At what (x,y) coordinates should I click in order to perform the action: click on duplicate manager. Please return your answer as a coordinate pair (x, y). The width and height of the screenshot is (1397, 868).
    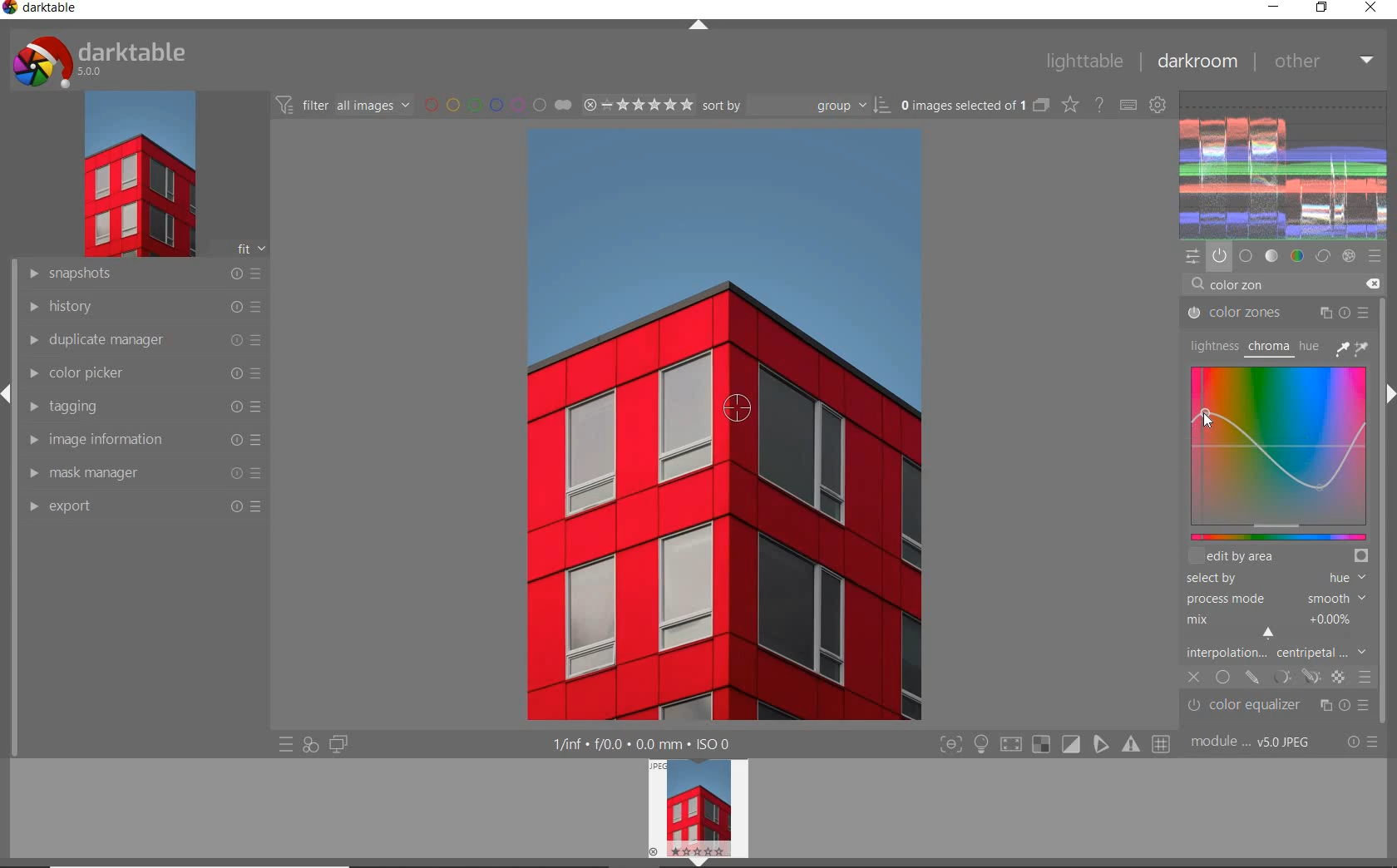
    Looking at the image, I should click on (140, 342).